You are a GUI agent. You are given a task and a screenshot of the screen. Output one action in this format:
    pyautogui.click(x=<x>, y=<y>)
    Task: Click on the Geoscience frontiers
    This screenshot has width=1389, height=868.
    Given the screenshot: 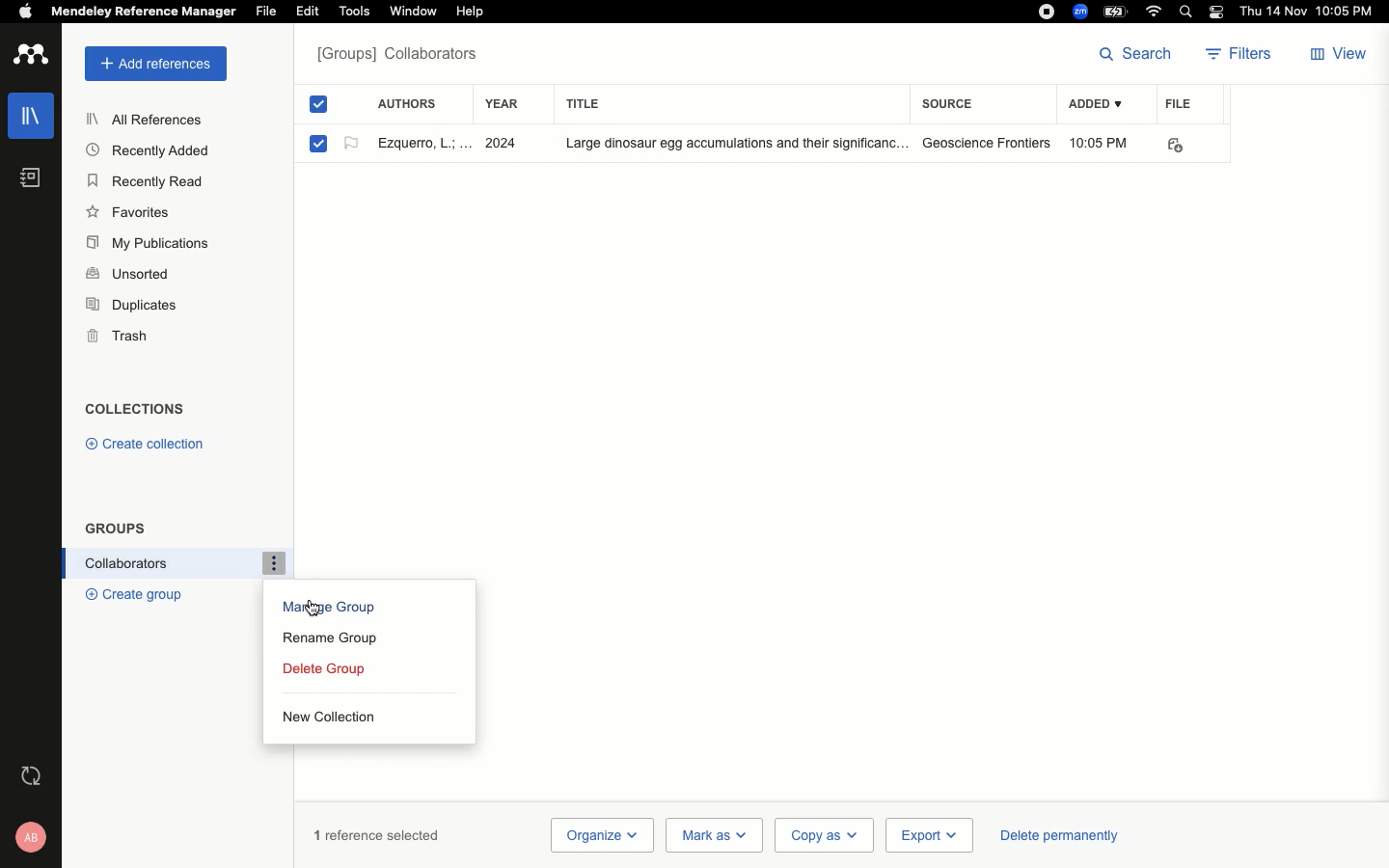 What is the action you would take?
    pyautogui.click(x=987, y=143)
    